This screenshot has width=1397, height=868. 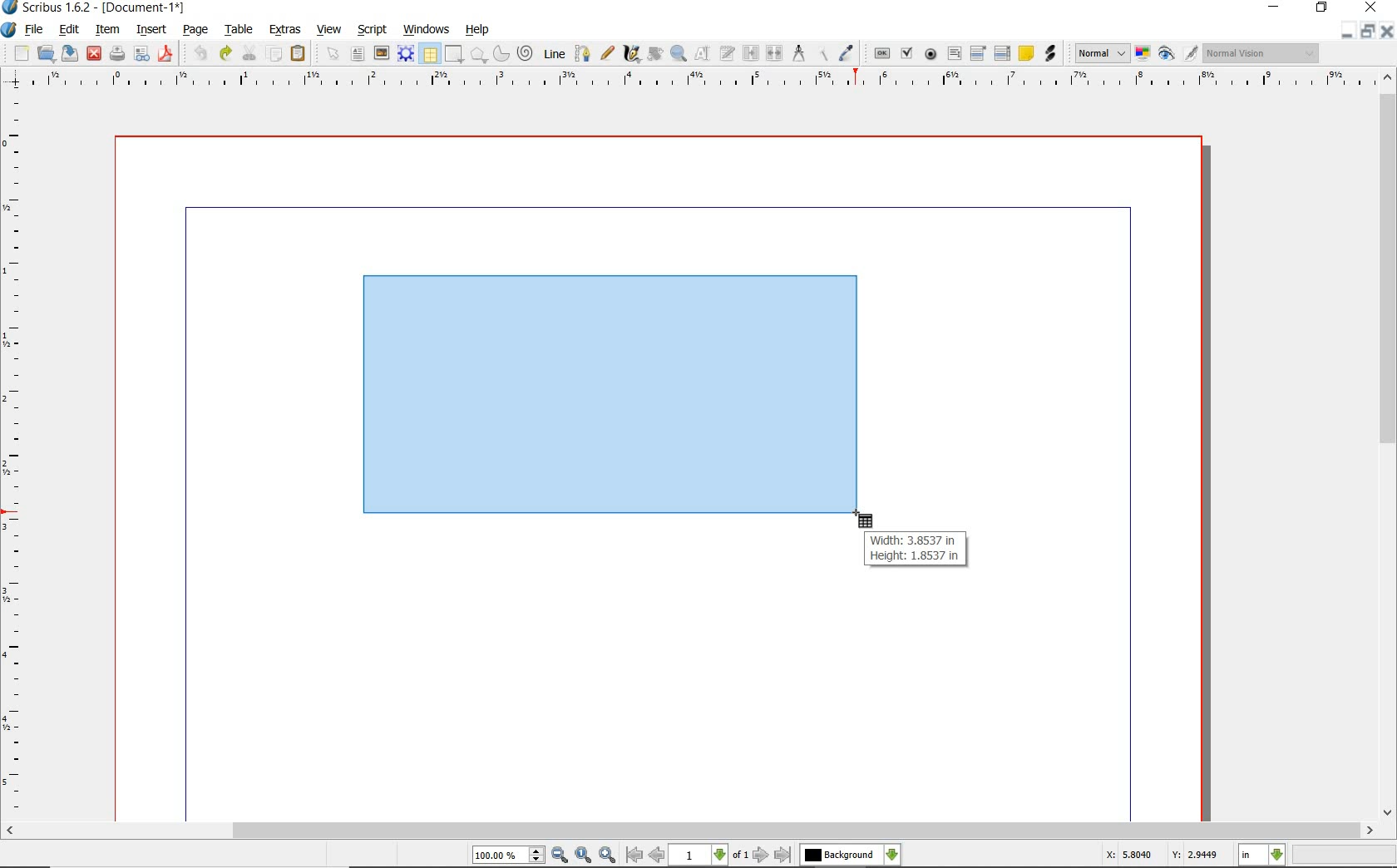 What do you see at coordinates (776, 53) in the screenshot?
I see `unlink text frames` at bounding box center [776, 53].